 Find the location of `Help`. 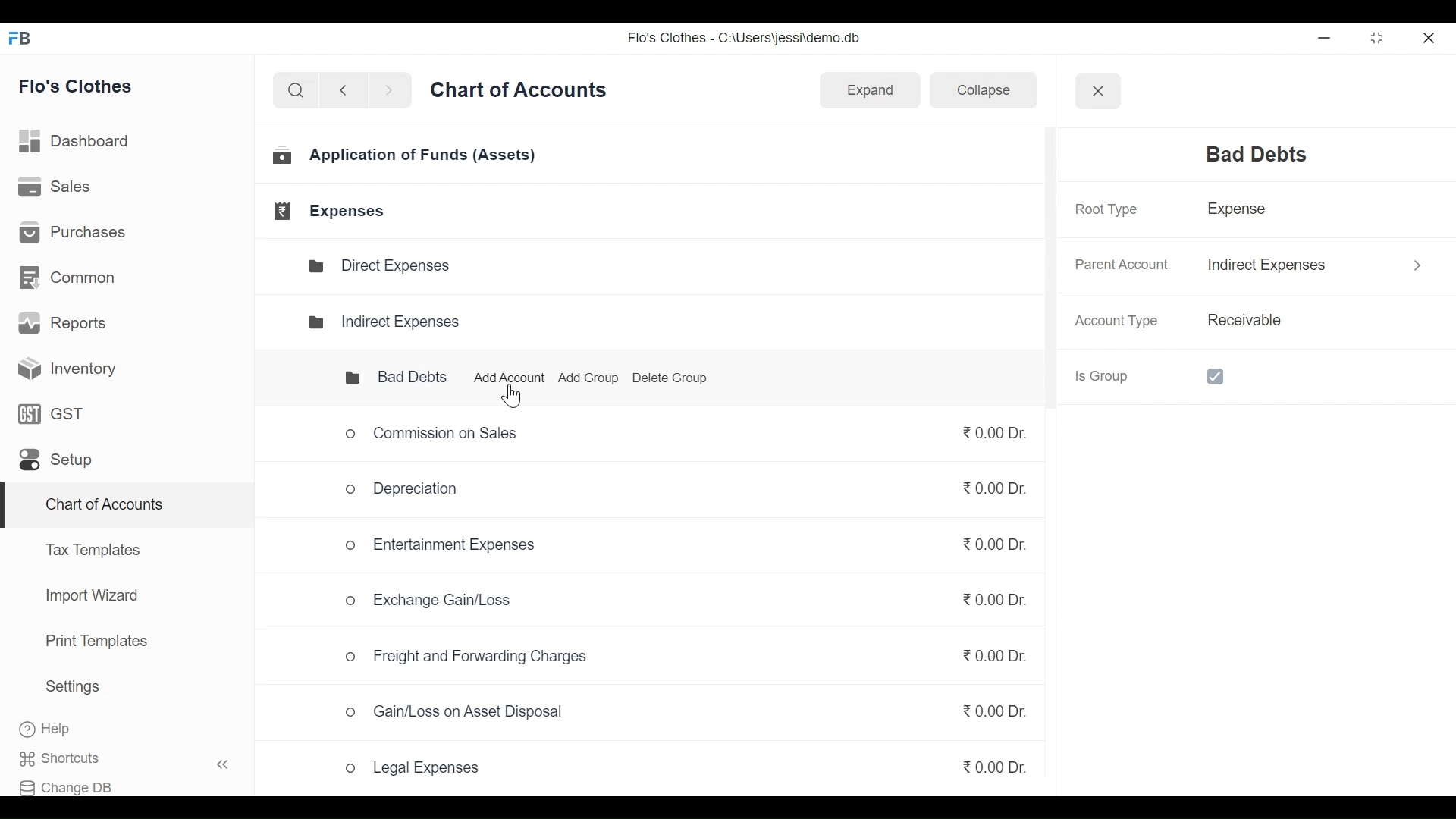

Help is located at coordinates (61, 730).